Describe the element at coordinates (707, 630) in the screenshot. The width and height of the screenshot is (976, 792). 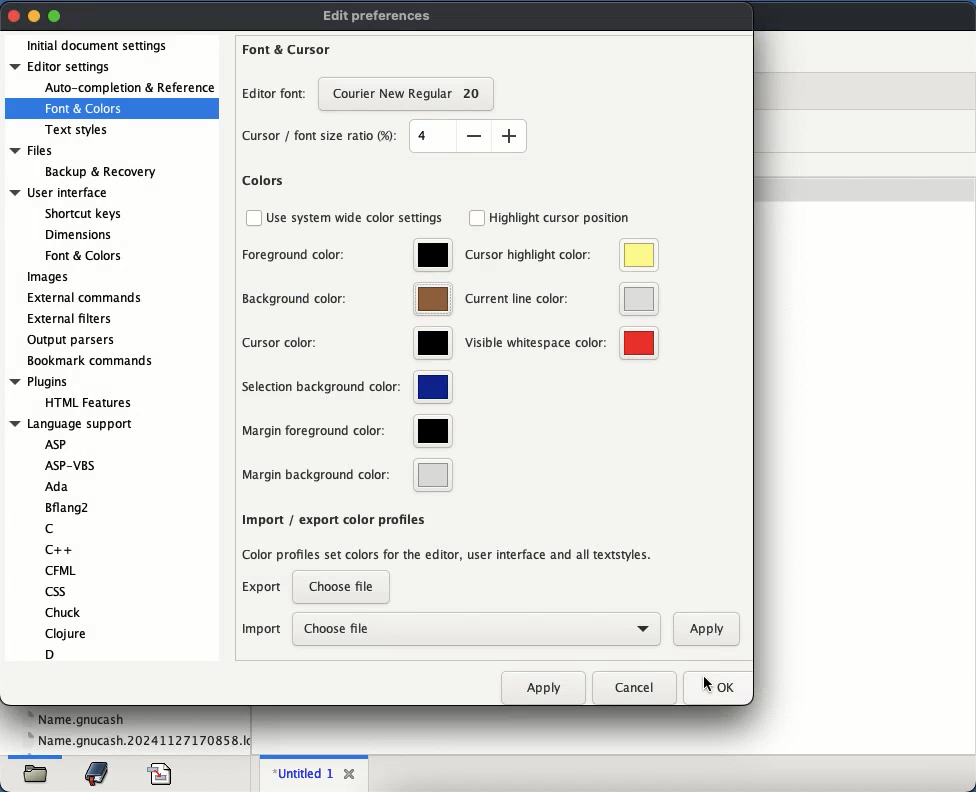
I see `apply` at that location.